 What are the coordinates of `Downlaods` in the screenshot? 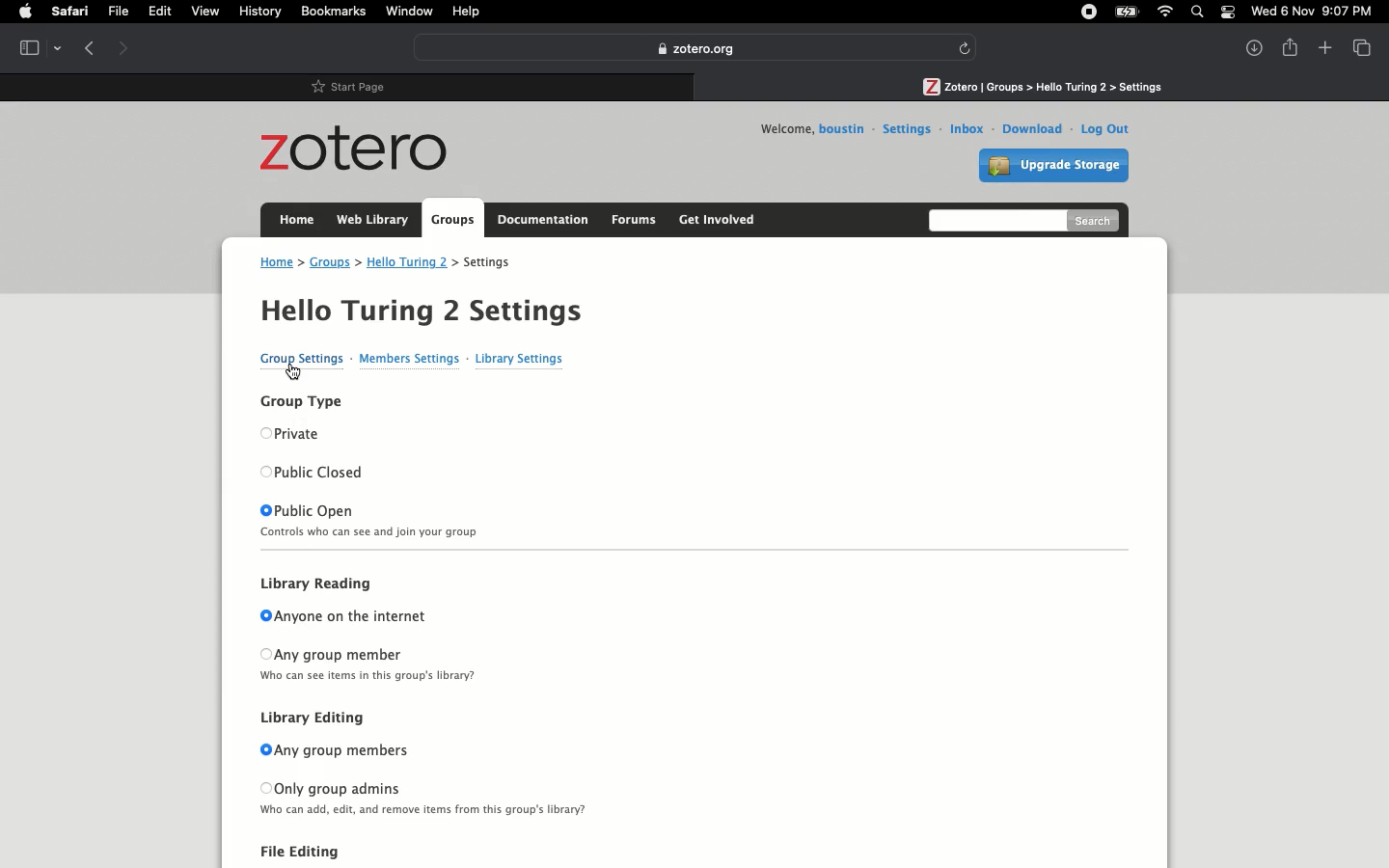 It's located at (1248, 46).